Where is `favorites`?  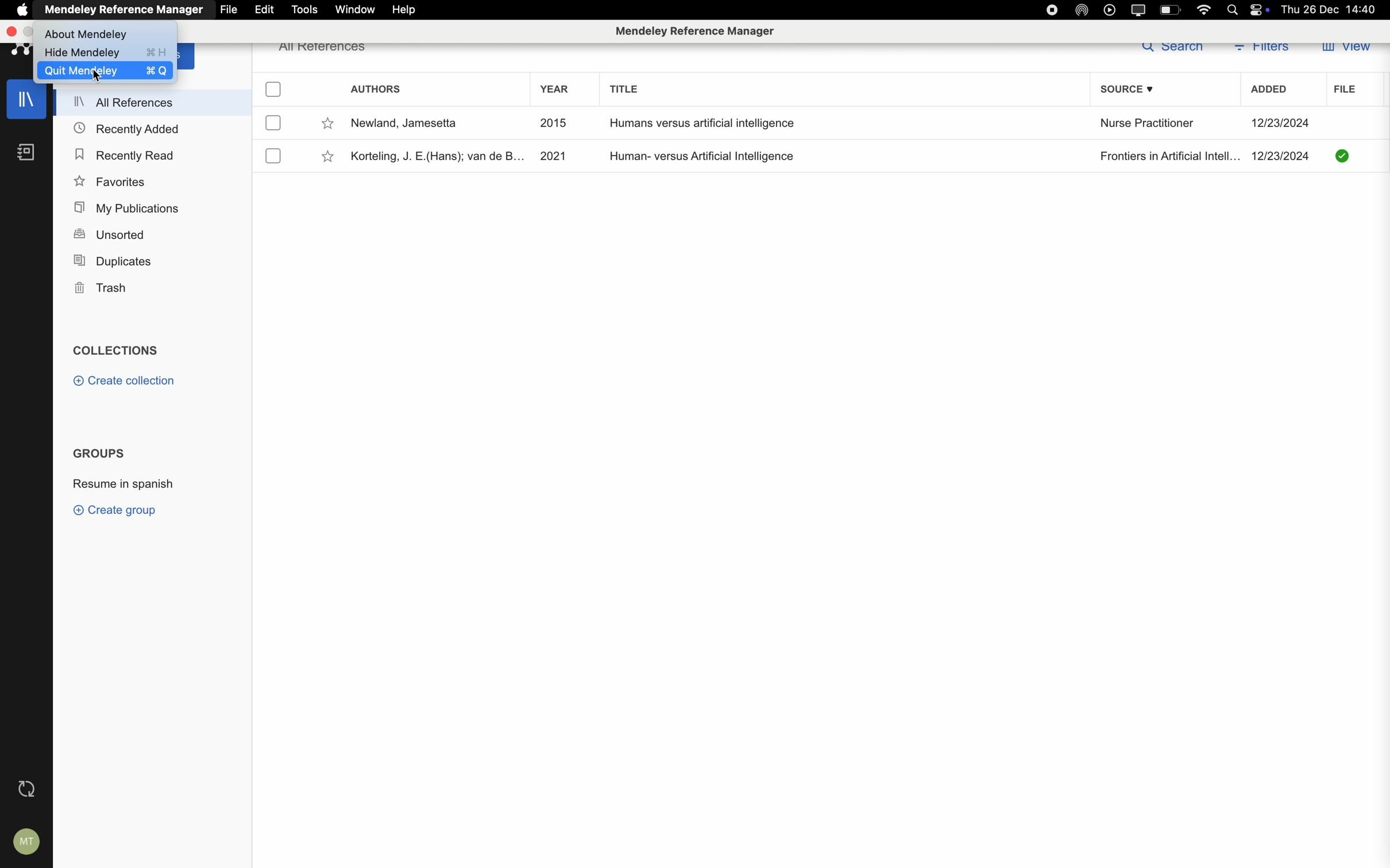 favorites is located at coordinates (110, 183).